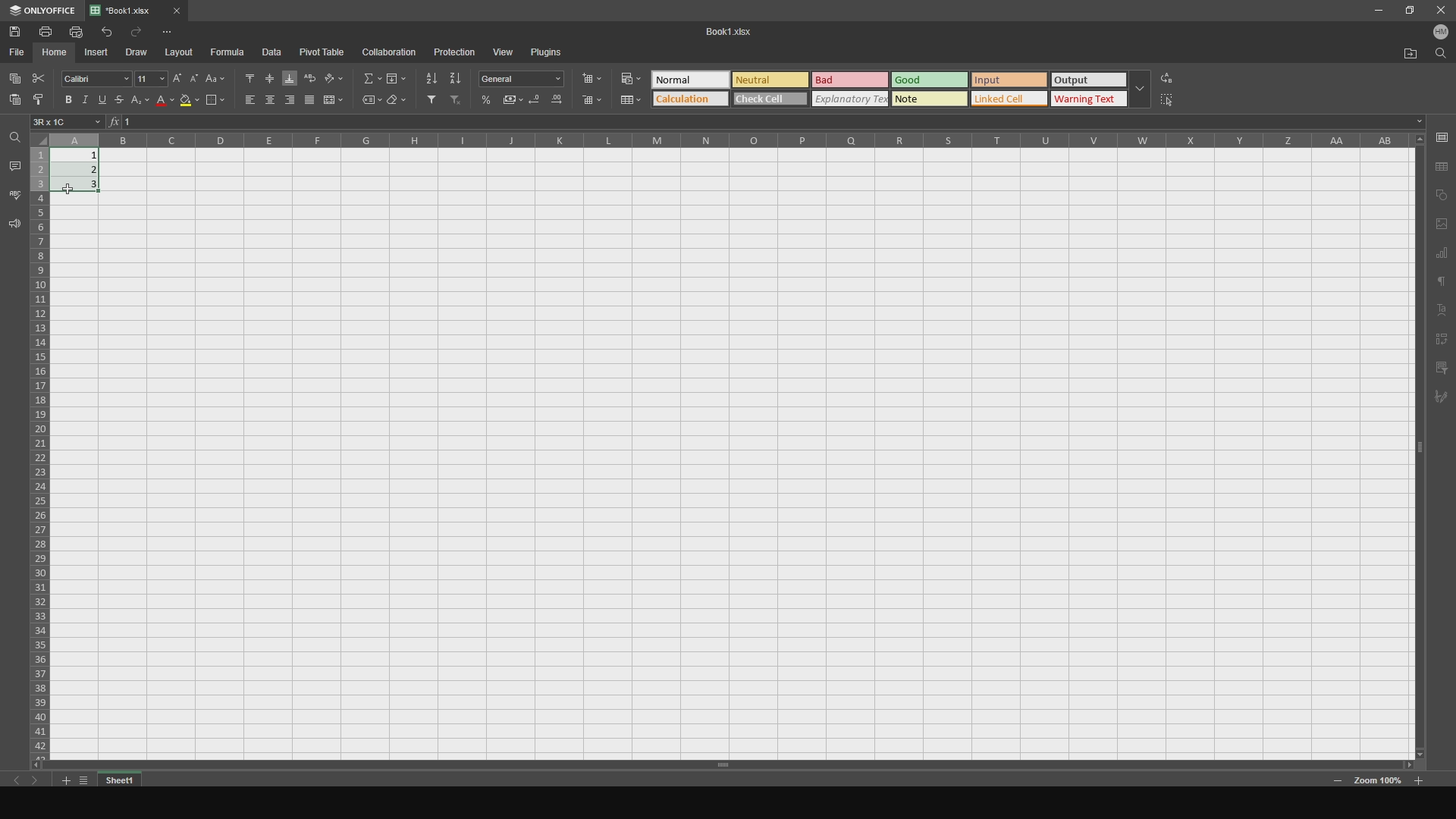 This screenshot has height=819, width=1456. I want to click on user, so click(1439, 35).